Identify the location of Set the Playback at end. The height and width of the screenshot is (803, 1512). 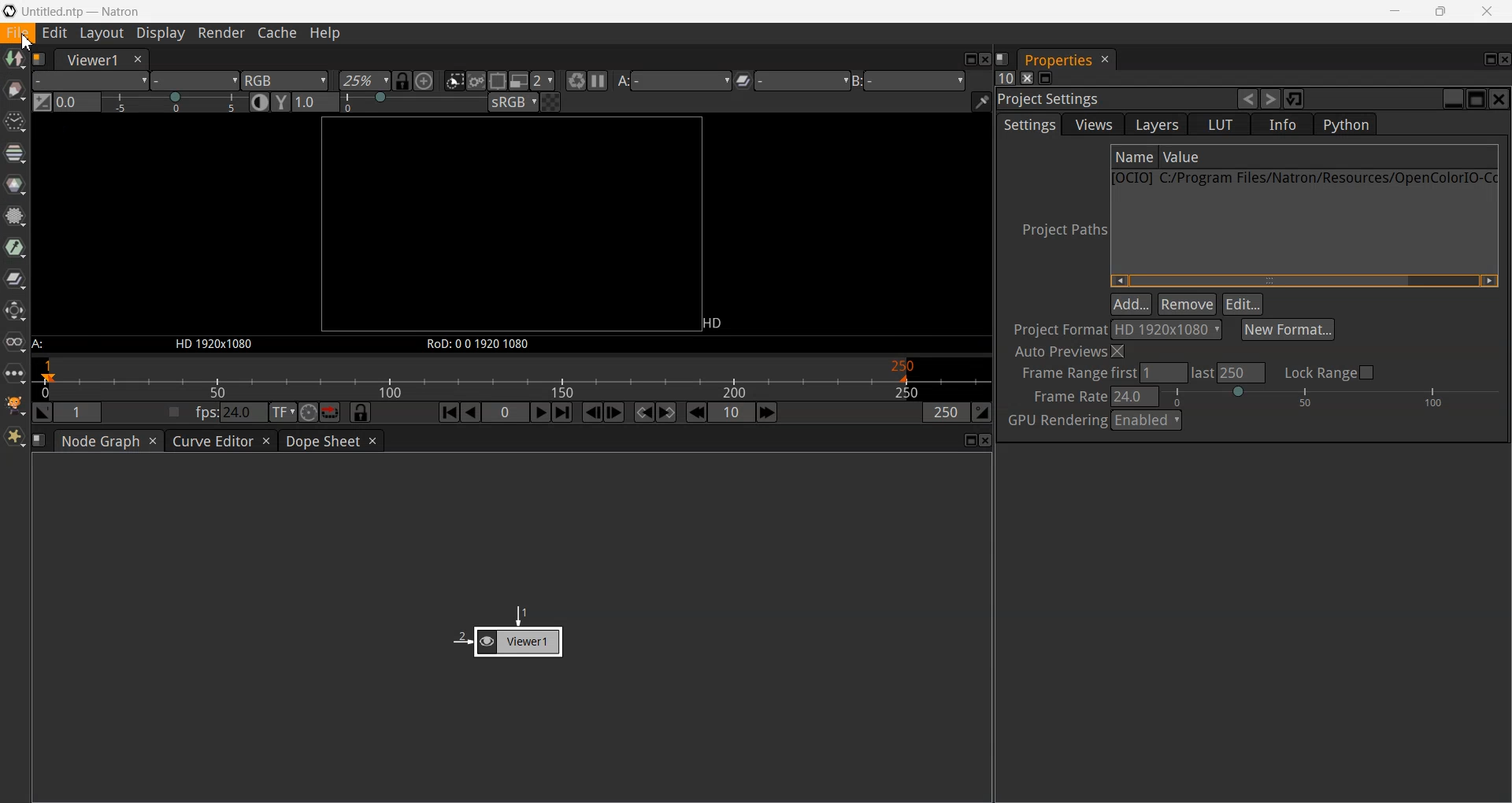
(982, 412).